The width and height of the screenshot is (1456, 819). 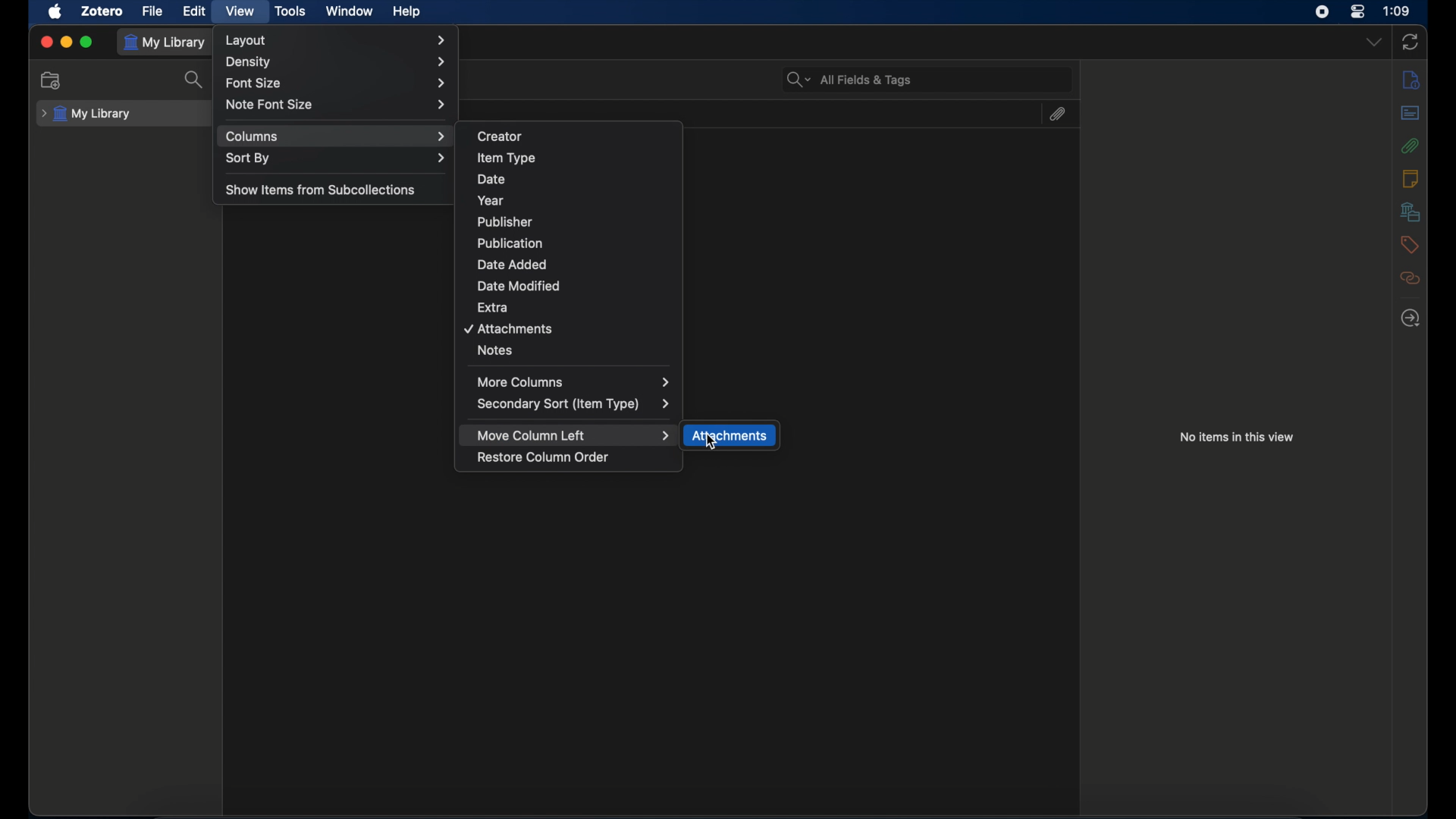 What do you see at coordinates (349, 11) in the screenshot?
I see `window` at bounding box center [349, 11].